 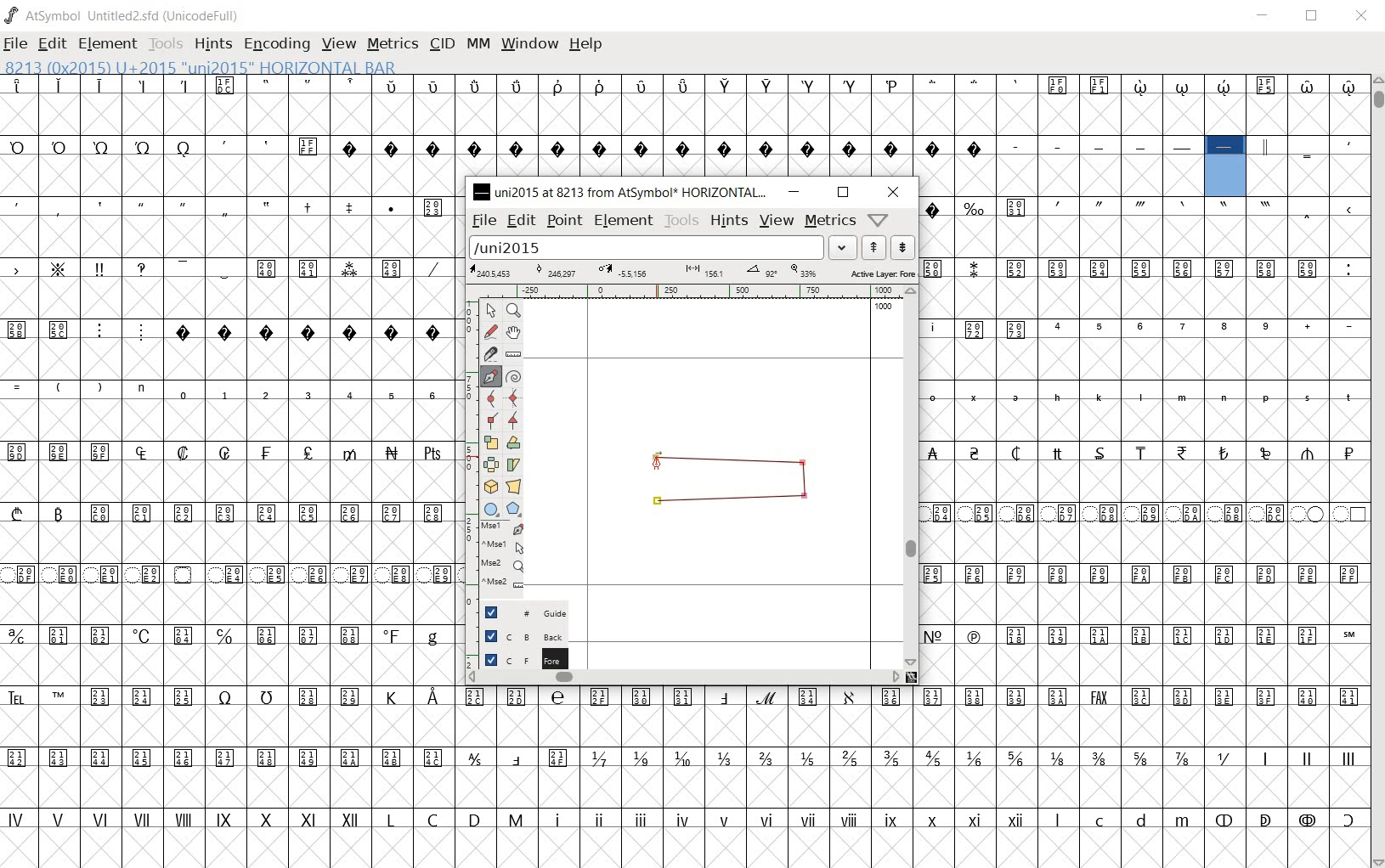 I want to click on scrollbar, so click(x=683, y=679).